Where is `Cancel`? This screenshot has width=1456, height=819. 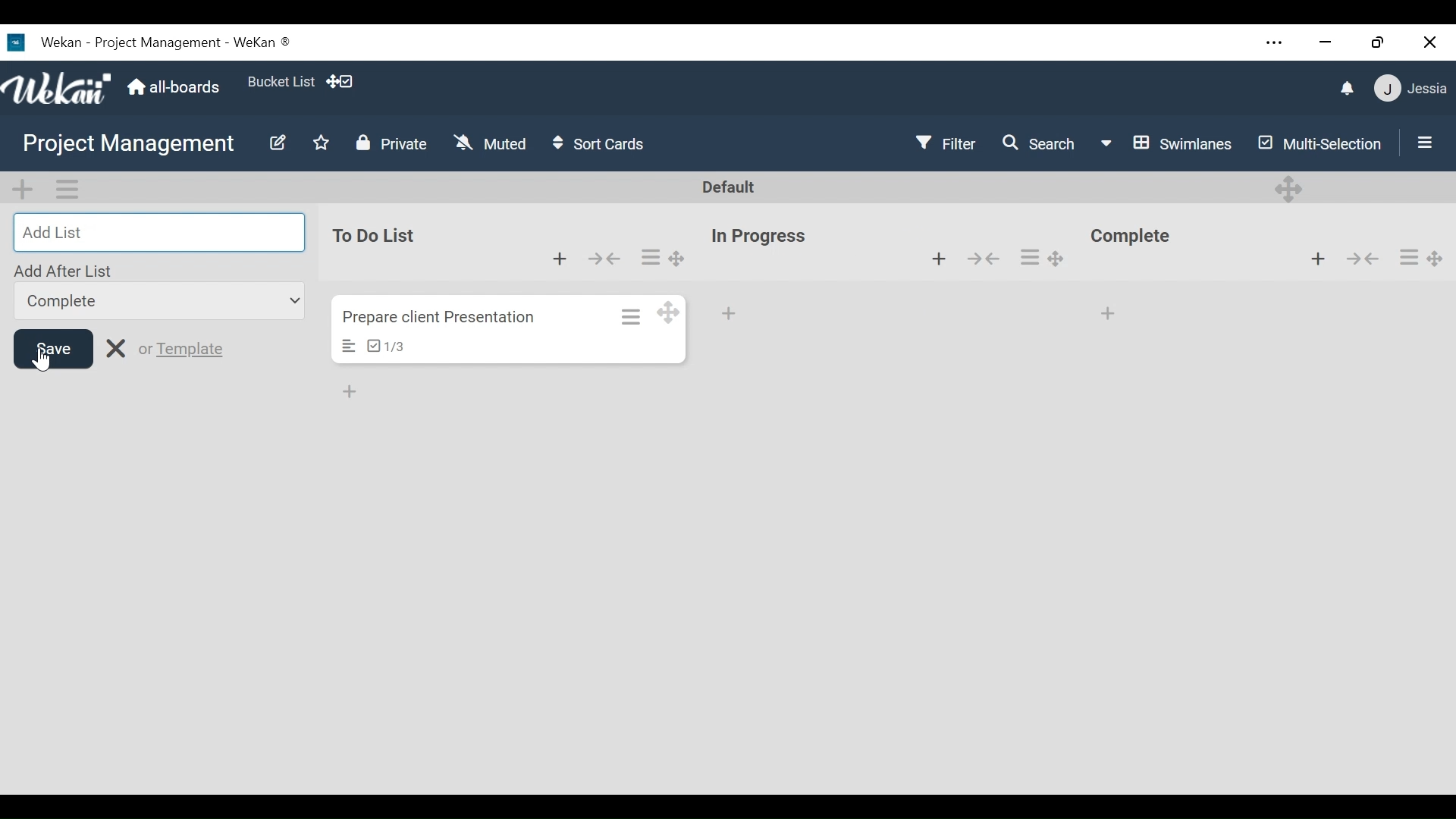
Cancel is located at coordinates (120, 350).